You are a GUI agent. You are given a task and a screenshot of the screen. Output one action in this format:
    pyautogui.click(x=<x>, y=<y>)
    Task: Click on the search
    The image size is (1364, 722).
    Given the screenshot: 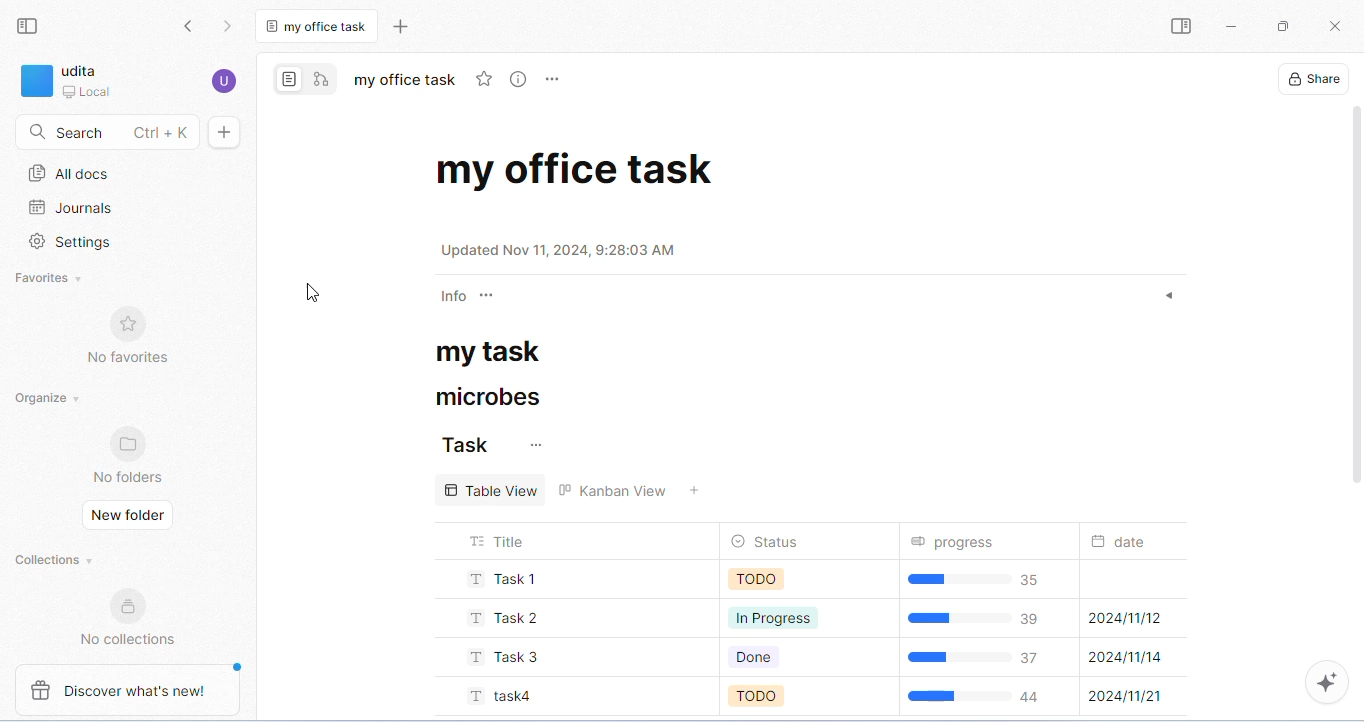 What is the action you would take?
    pyautogui.click(x=106, y=133)
    